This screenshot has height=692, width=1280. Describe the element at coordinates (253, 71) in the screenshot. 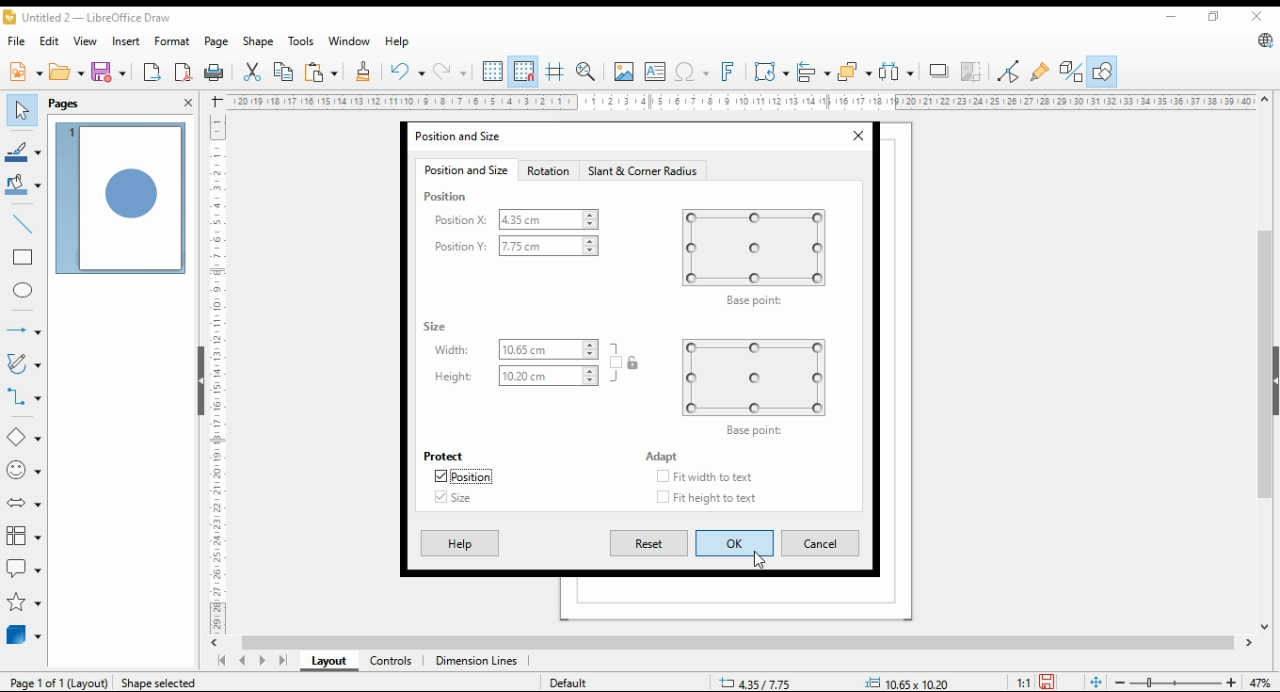

I see `cut` at that location.